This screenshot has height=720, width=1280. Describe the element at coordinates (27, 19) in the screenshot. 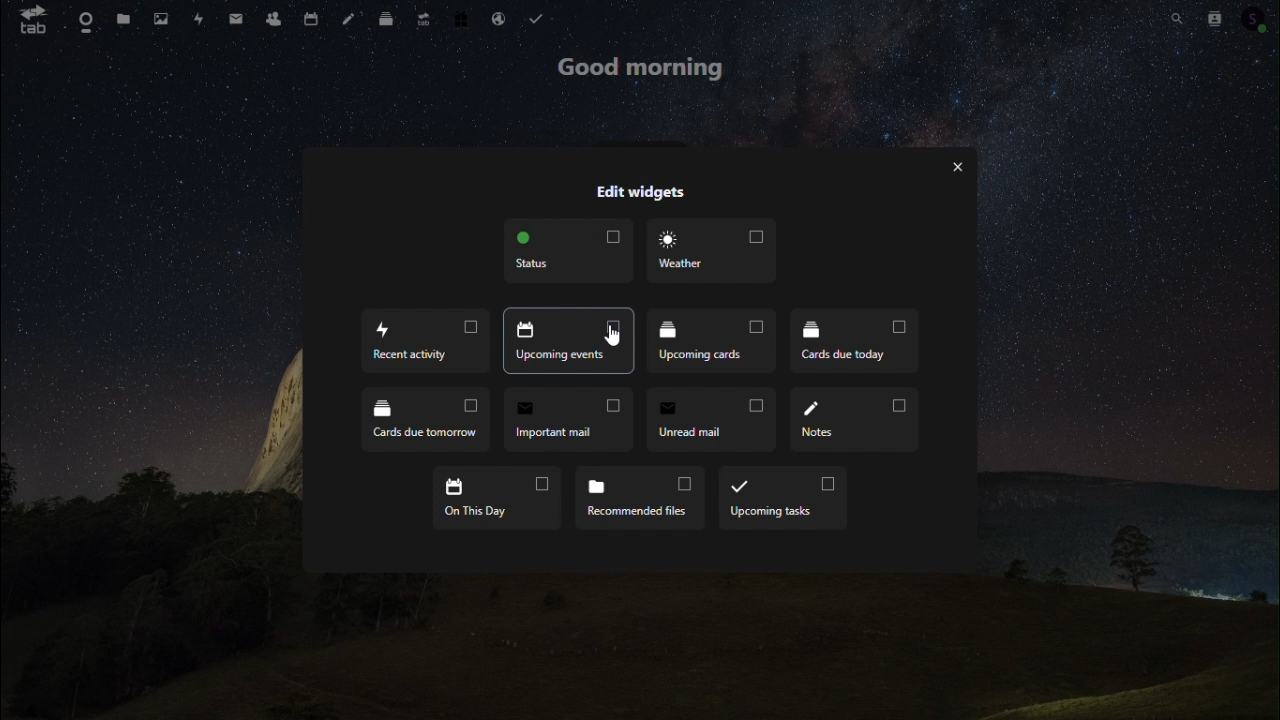

I see `tab` at that location.